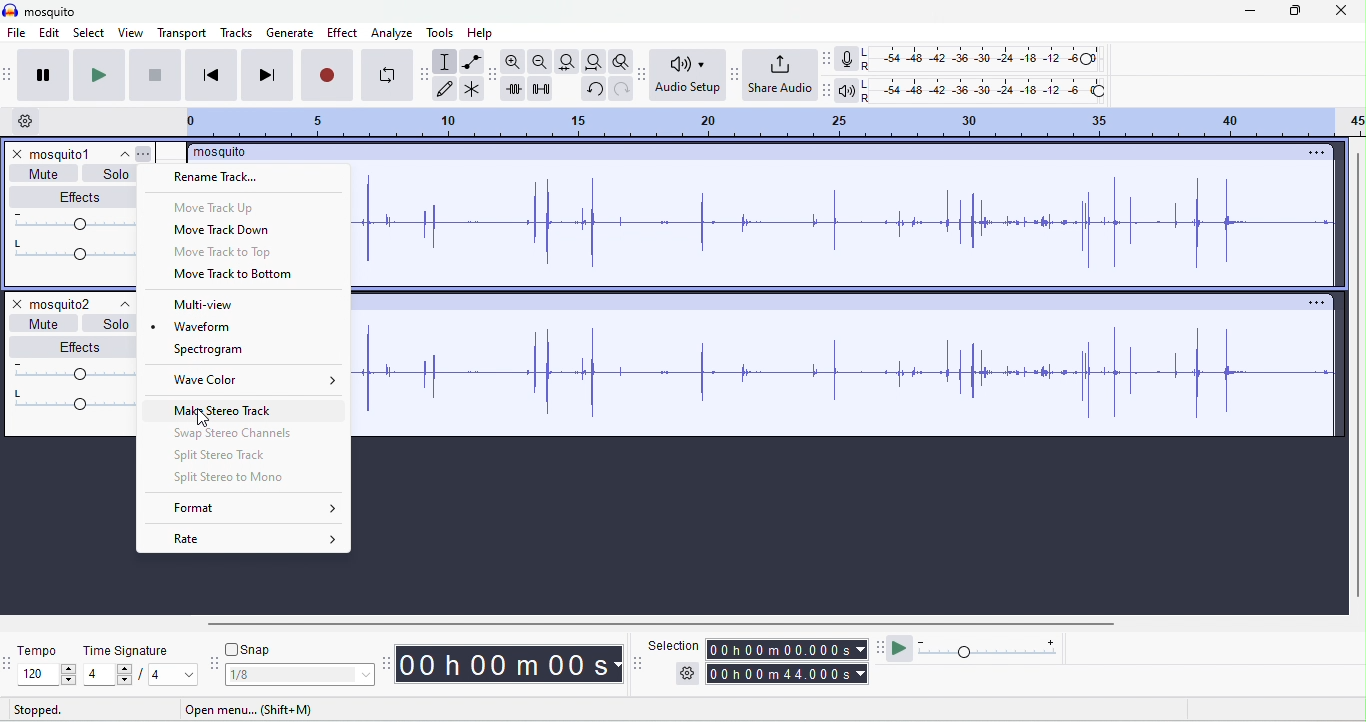 The height and width of the screenshot is (722, 1366). I want to click on close, so click(1340, 10).